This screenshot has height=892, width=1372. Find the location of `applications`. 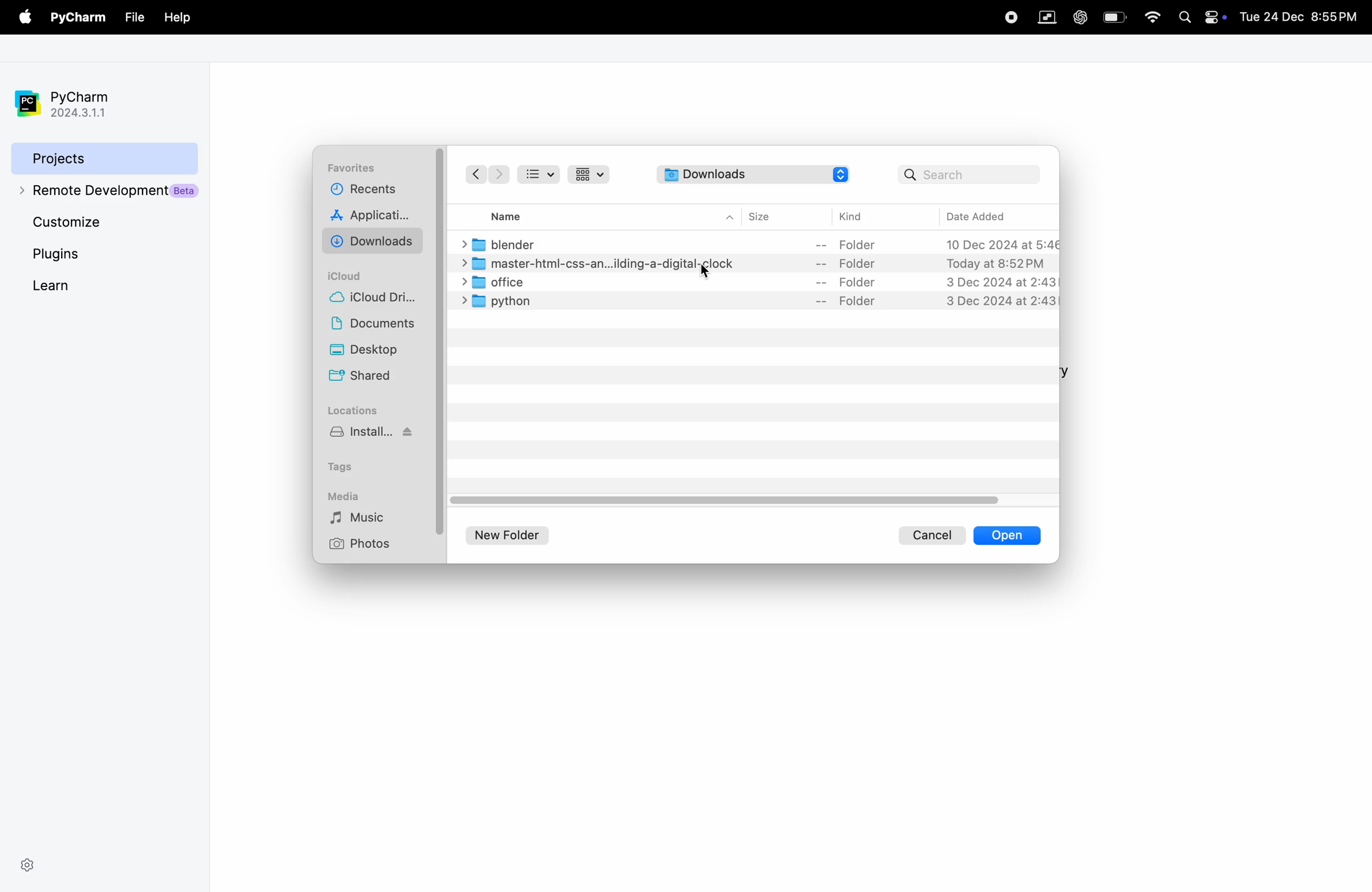

applications is located at coordinates (375, 217).